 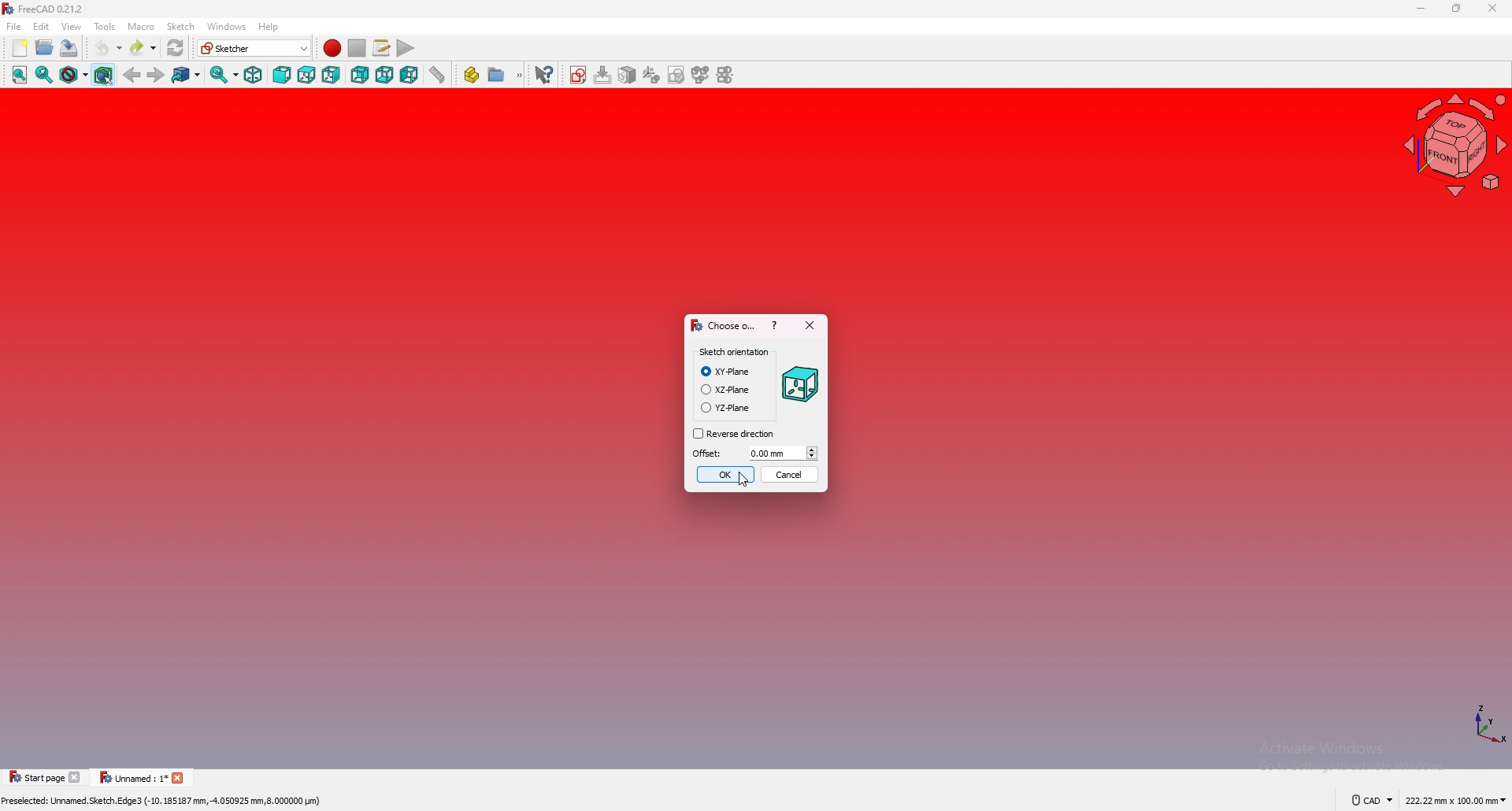 I want to click on bottom, so click(x=384, y=75).